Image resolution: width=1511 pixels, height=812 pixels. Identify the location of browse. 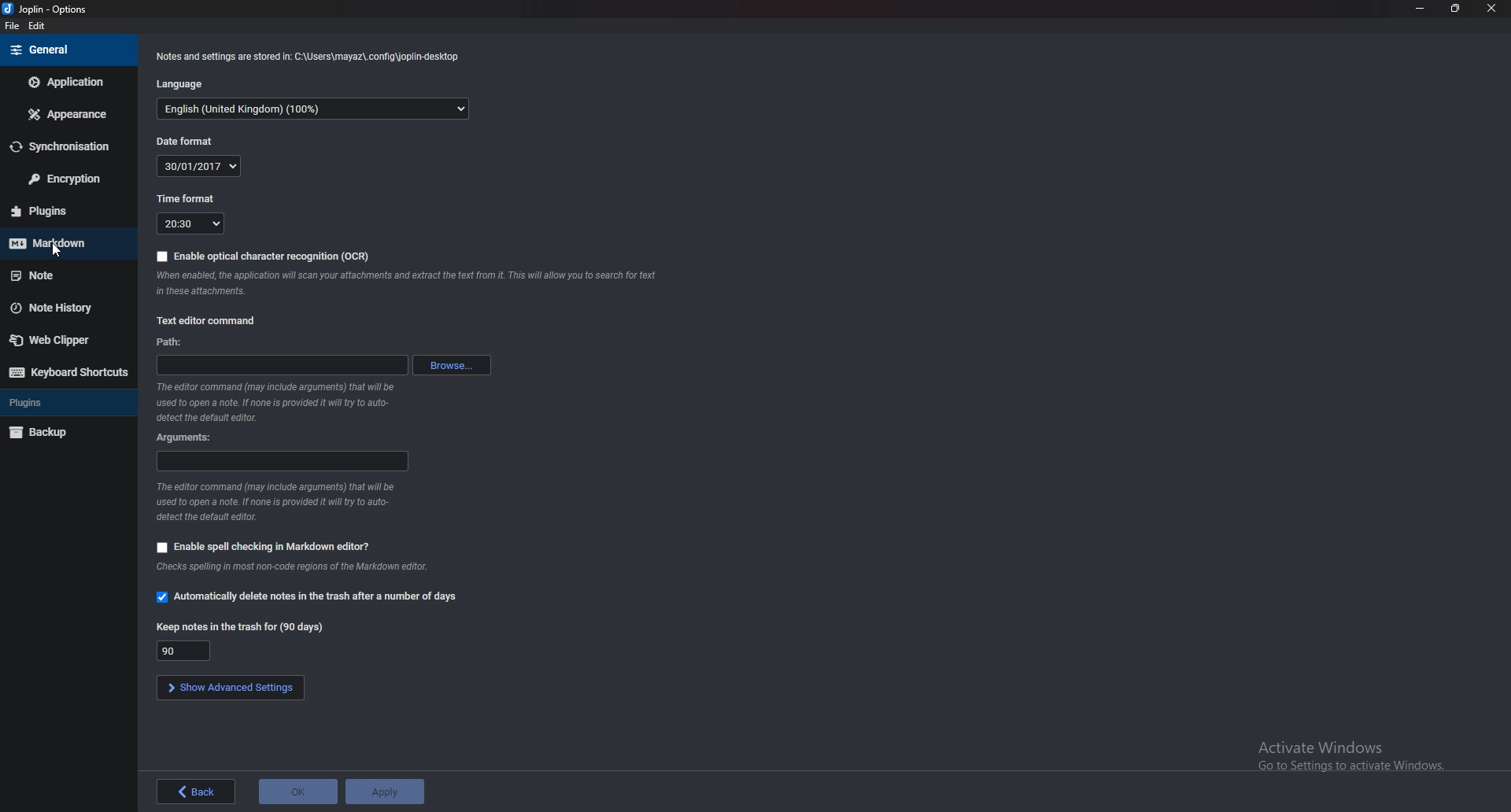
(451, 364).